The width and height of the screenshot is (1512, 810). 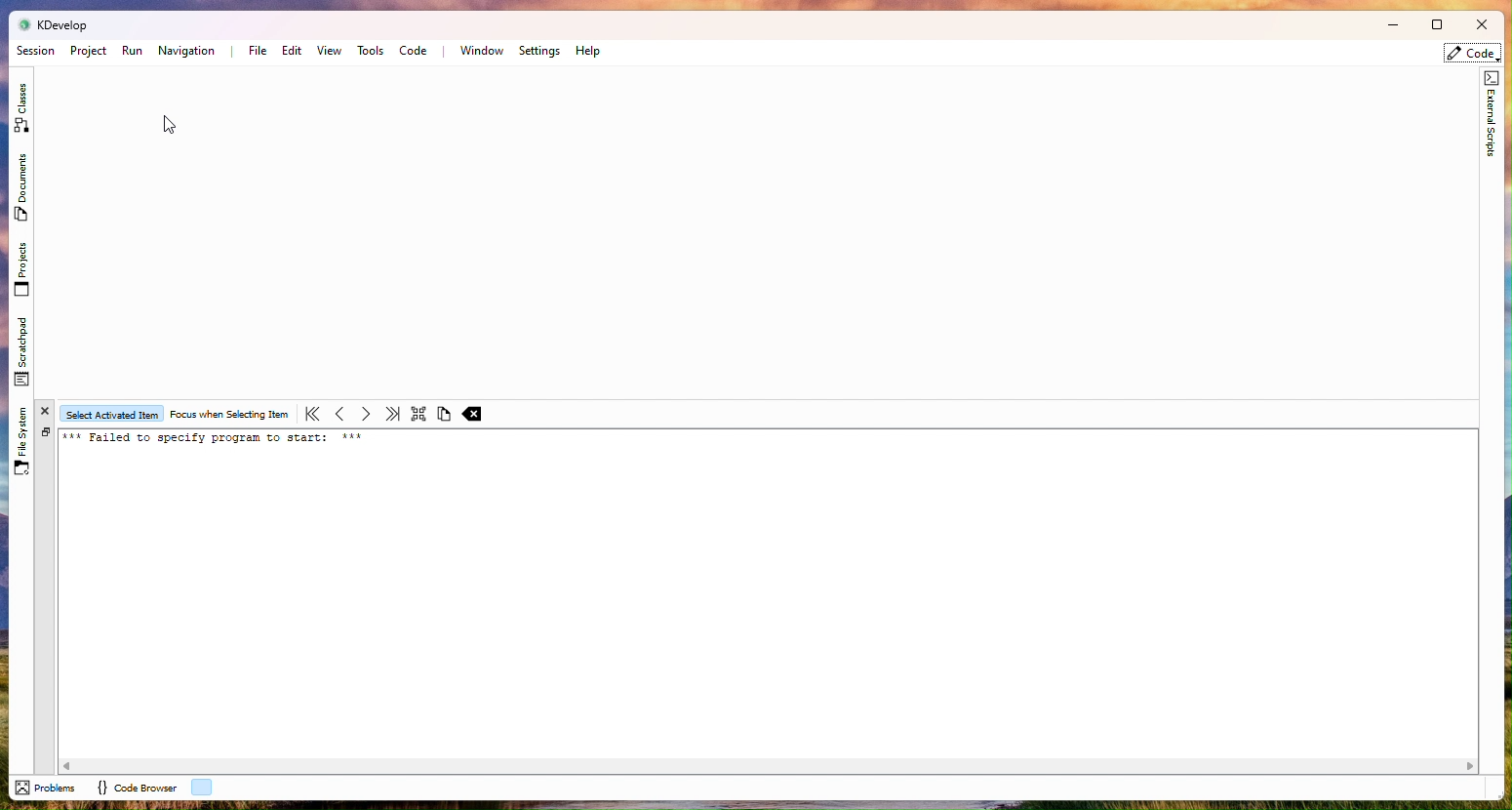 What do you see at coordinates (255, 50) in the screenshot?
I see `File` at bounding box center [255, 50].